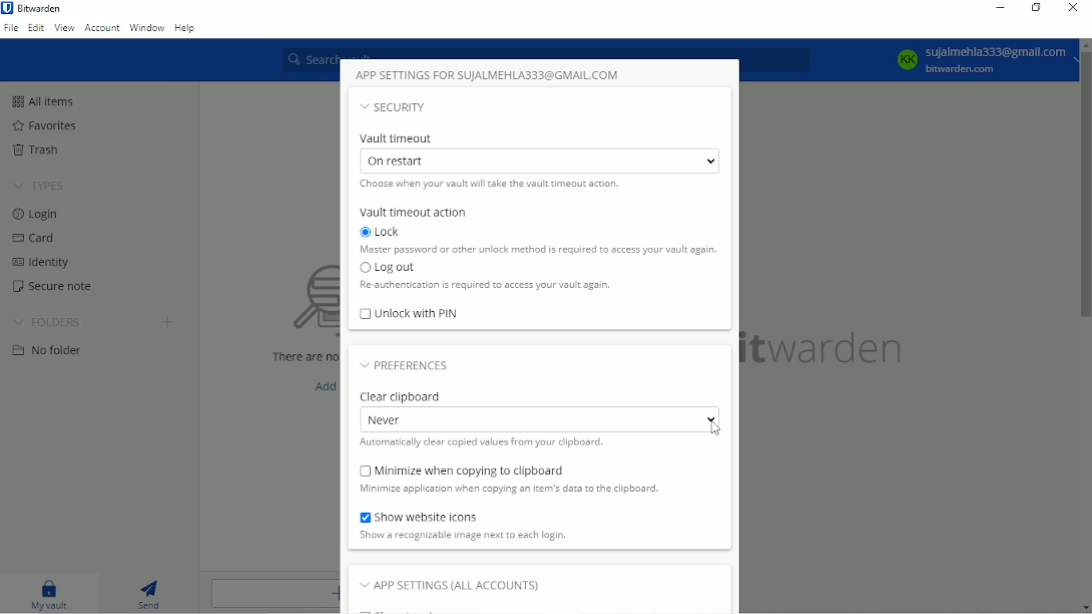 Image resolution: width=1092 pixels, height=614 pixels. What do you see at coordinates (395, 110) in the screenshot?
I see `Security` at bounding box center [395, 110].